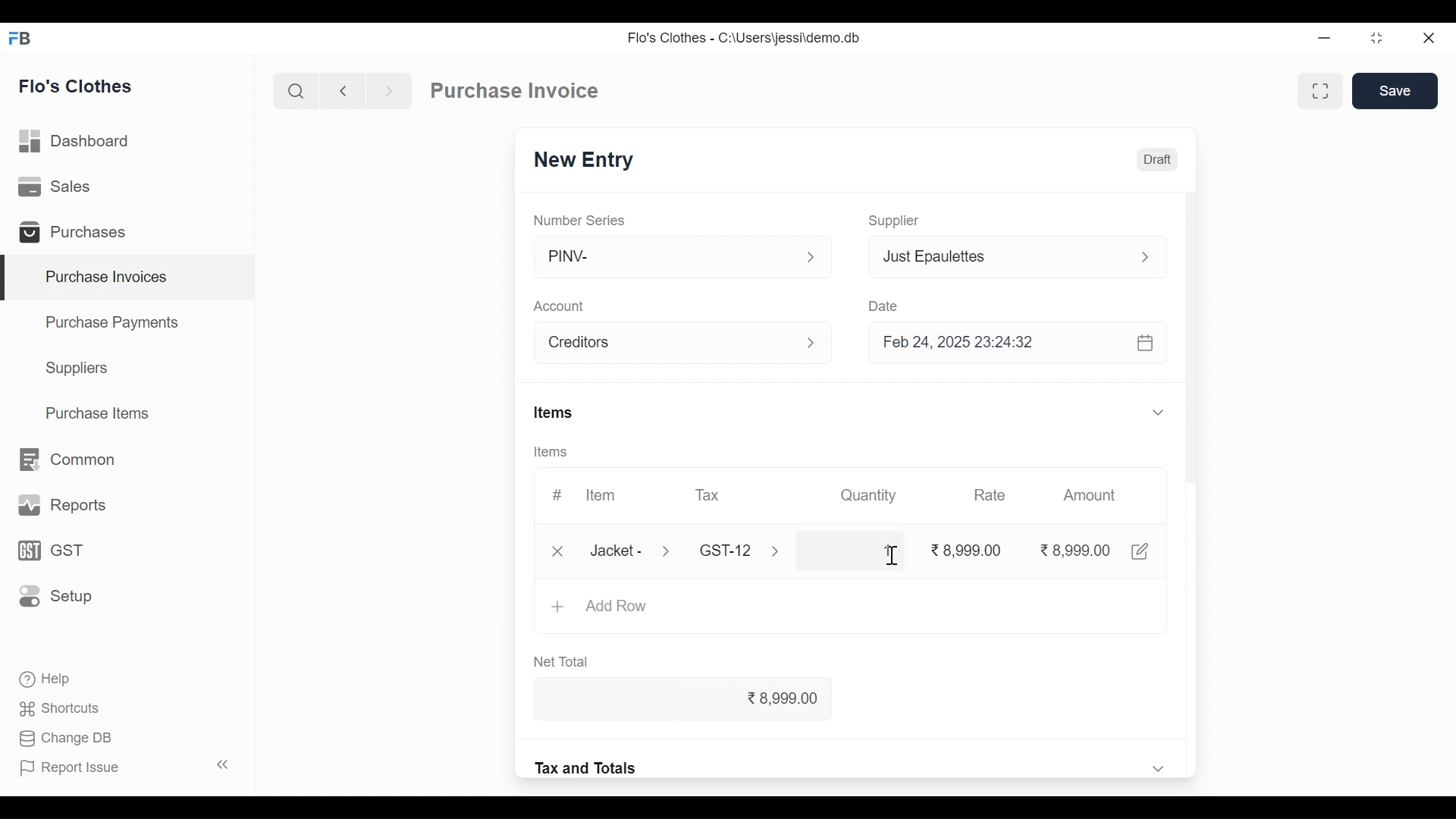 The width and height of the screenshot is (1456, 819). What do you see at coordinates (701, 700) in the screenshot?
I see `8,999.00` at bounding box center [701, 700].